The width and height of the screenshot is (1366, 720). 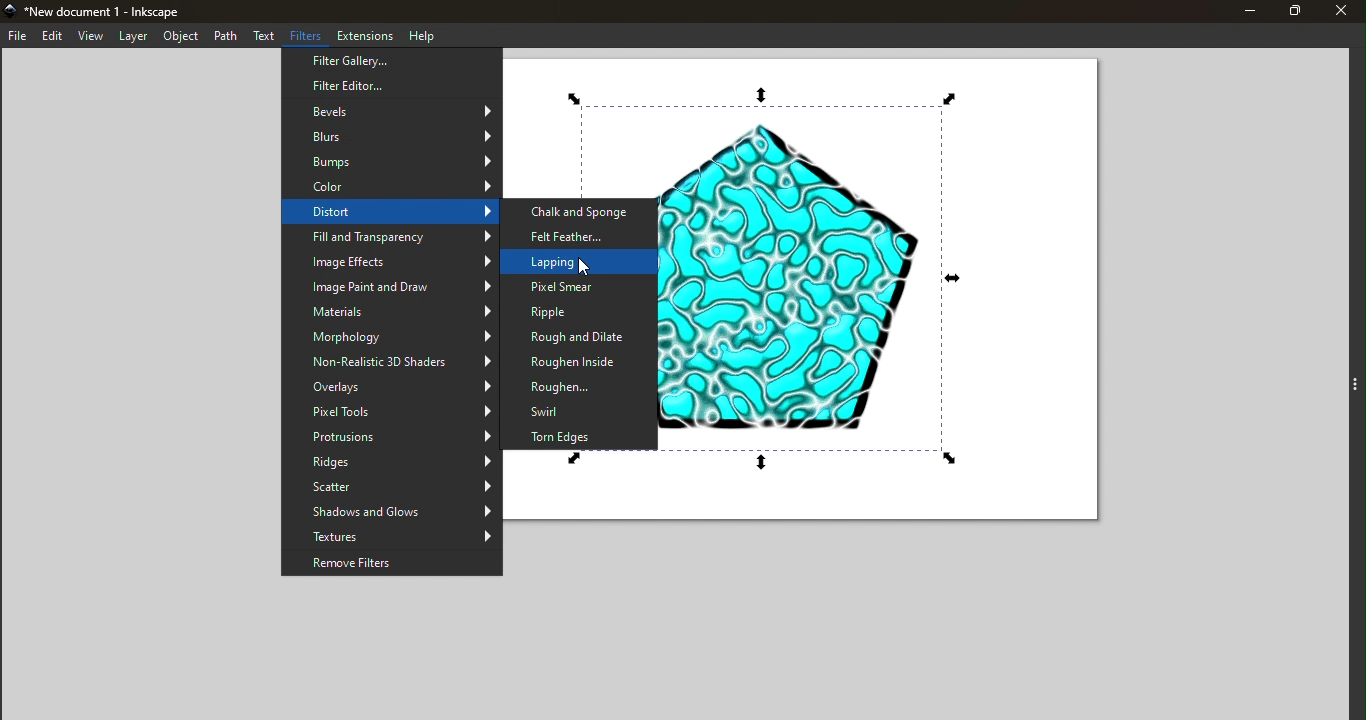 What do you see at coordinates (391, 237) in the screenshot?
I see `Fill and Transparency` at bounding box center [391, 237].